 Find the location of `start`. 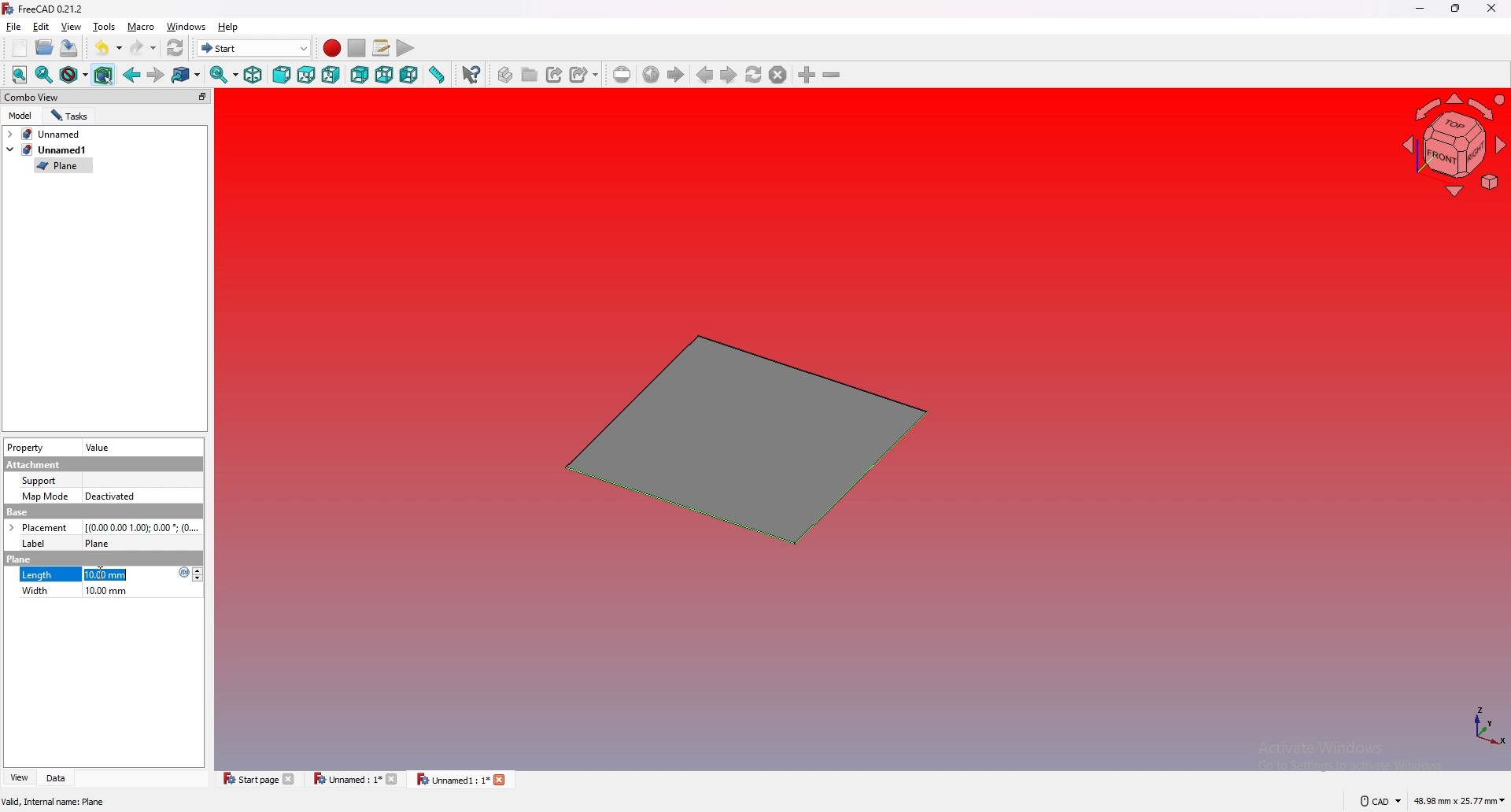

start is located at coordinates (254, 47).